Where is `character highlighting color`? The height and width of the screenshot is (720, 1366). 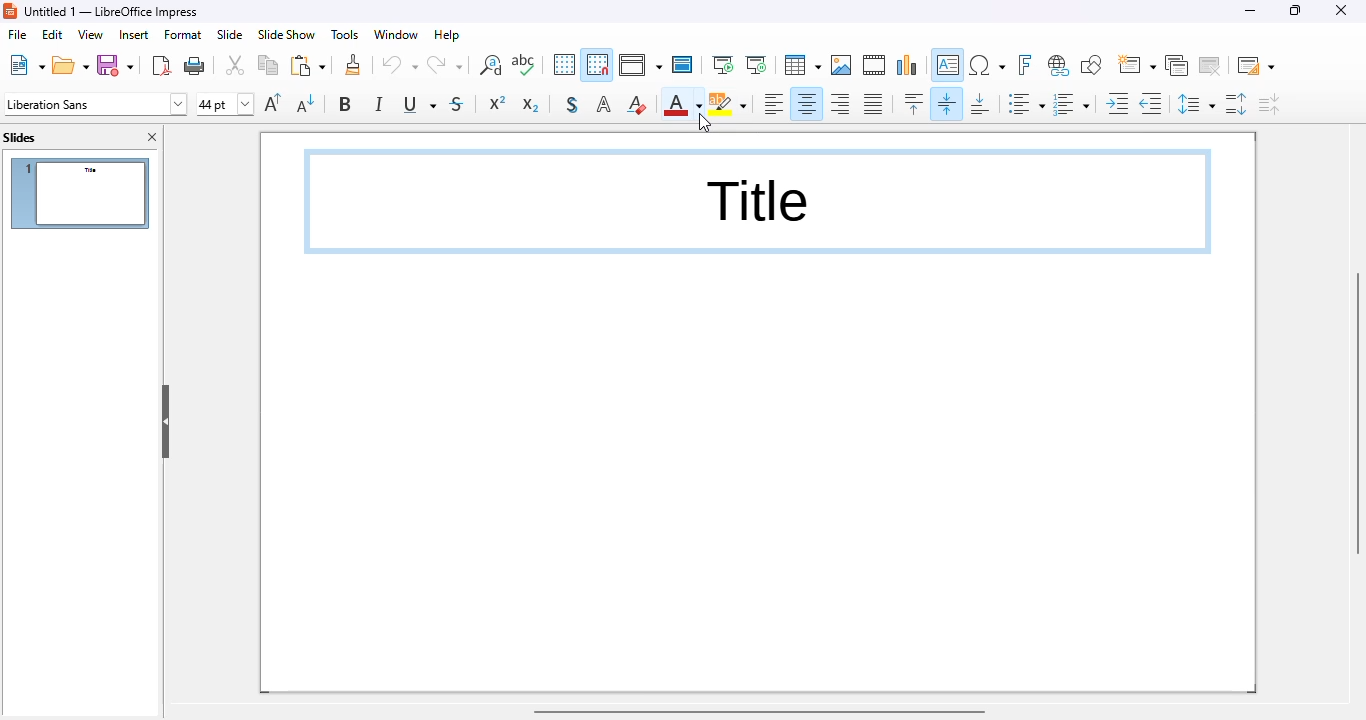 character highlighting color is located at coordinates (728, 103).